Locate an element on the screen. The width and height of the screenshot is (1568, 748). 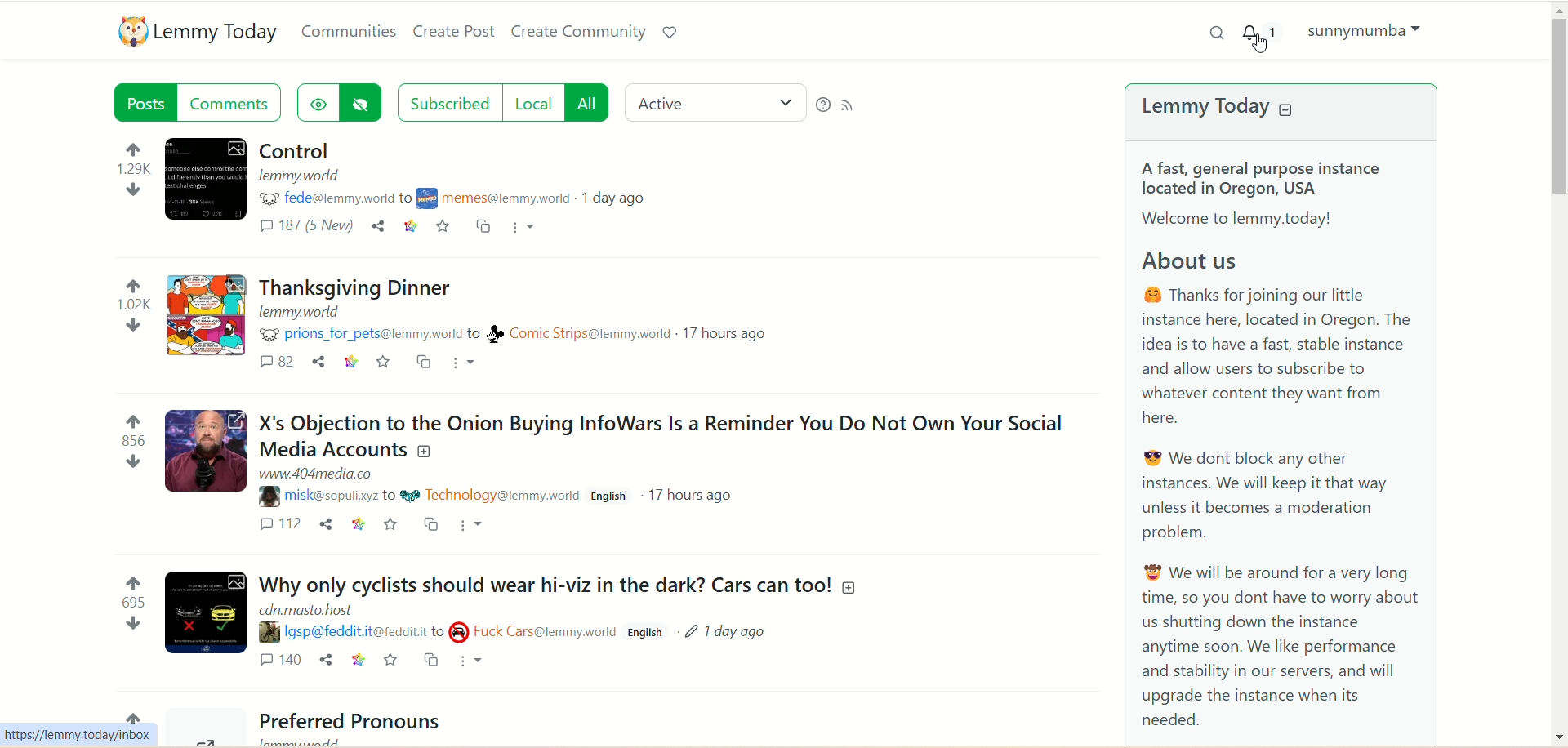
local is located at coordinates (532, 106).